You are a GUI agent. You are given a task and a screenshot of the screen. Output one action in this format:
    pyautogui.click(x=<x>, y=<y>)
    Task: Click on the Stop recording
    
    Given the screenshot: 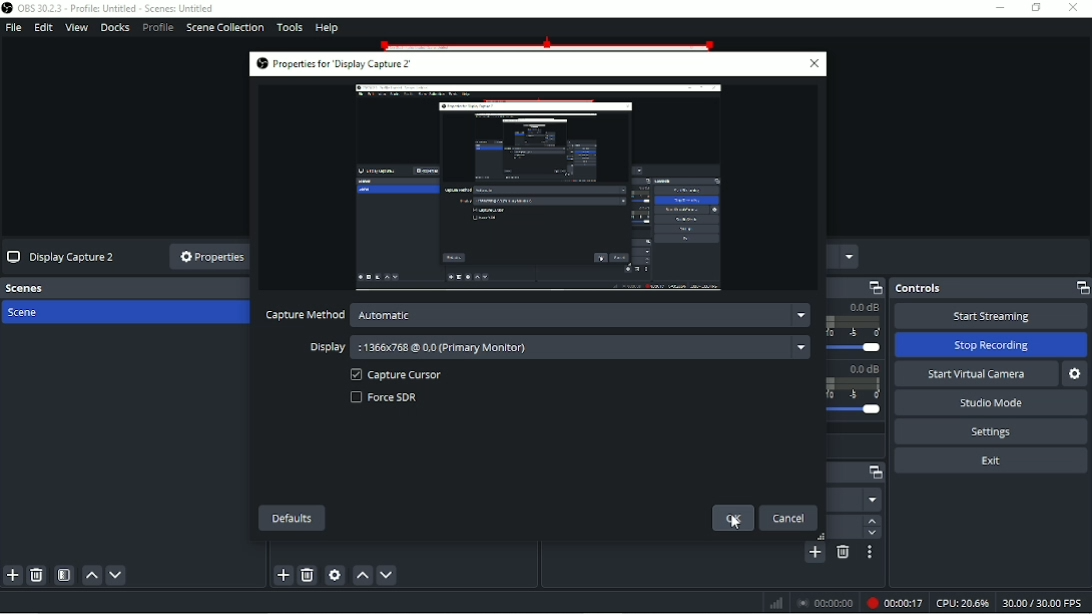 What is the action you would take?
    pyautogui.click(x=826, y=602)
    